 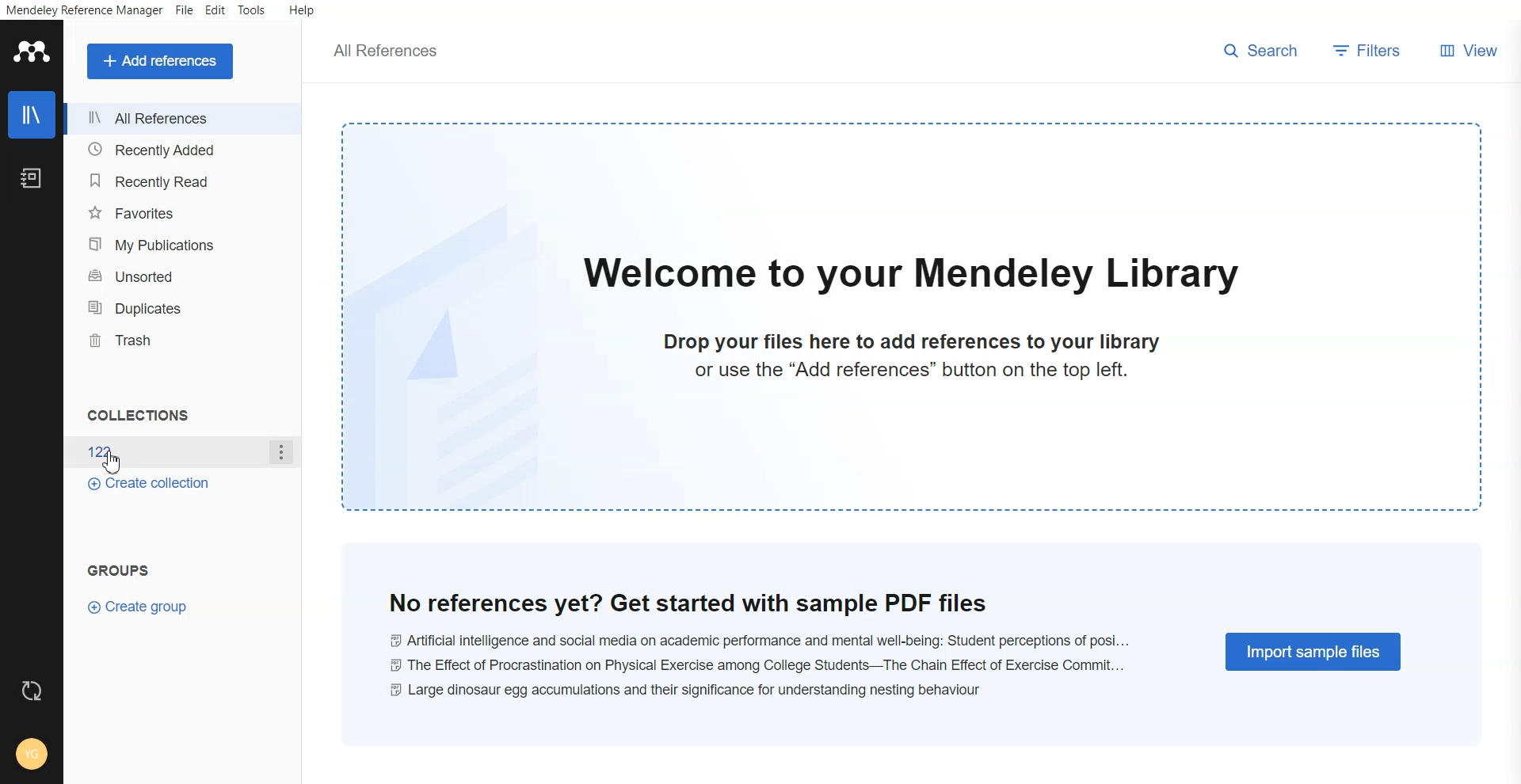 What do you see at coordinates (32, 751) in the screenshot?
I see `Account` at bounding box center [32, 751].